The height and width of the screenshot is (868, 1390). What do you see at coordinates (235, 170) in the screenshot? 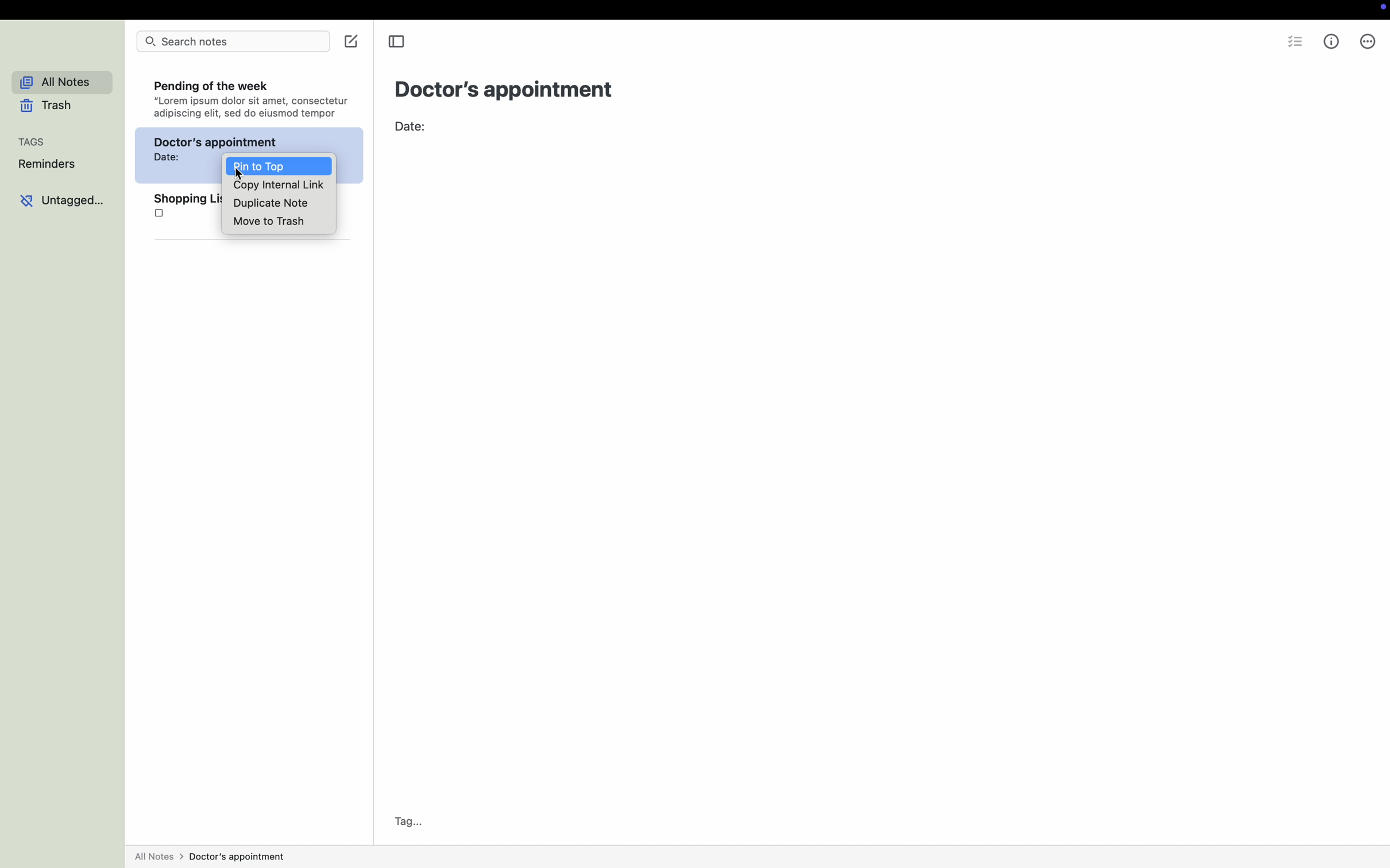
I see `cursor` at bounding box center [235, 170].